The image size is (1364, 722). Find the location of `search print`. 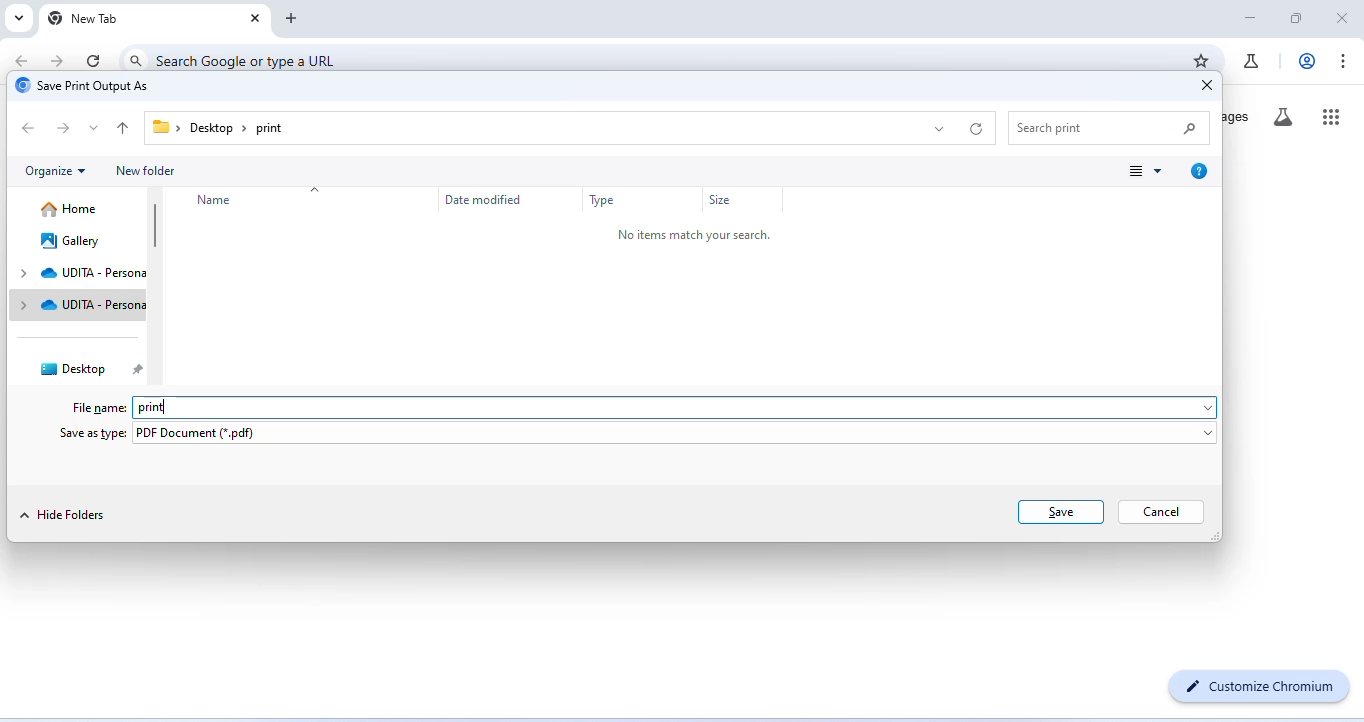

search print is located at coordinates (1110, 126).